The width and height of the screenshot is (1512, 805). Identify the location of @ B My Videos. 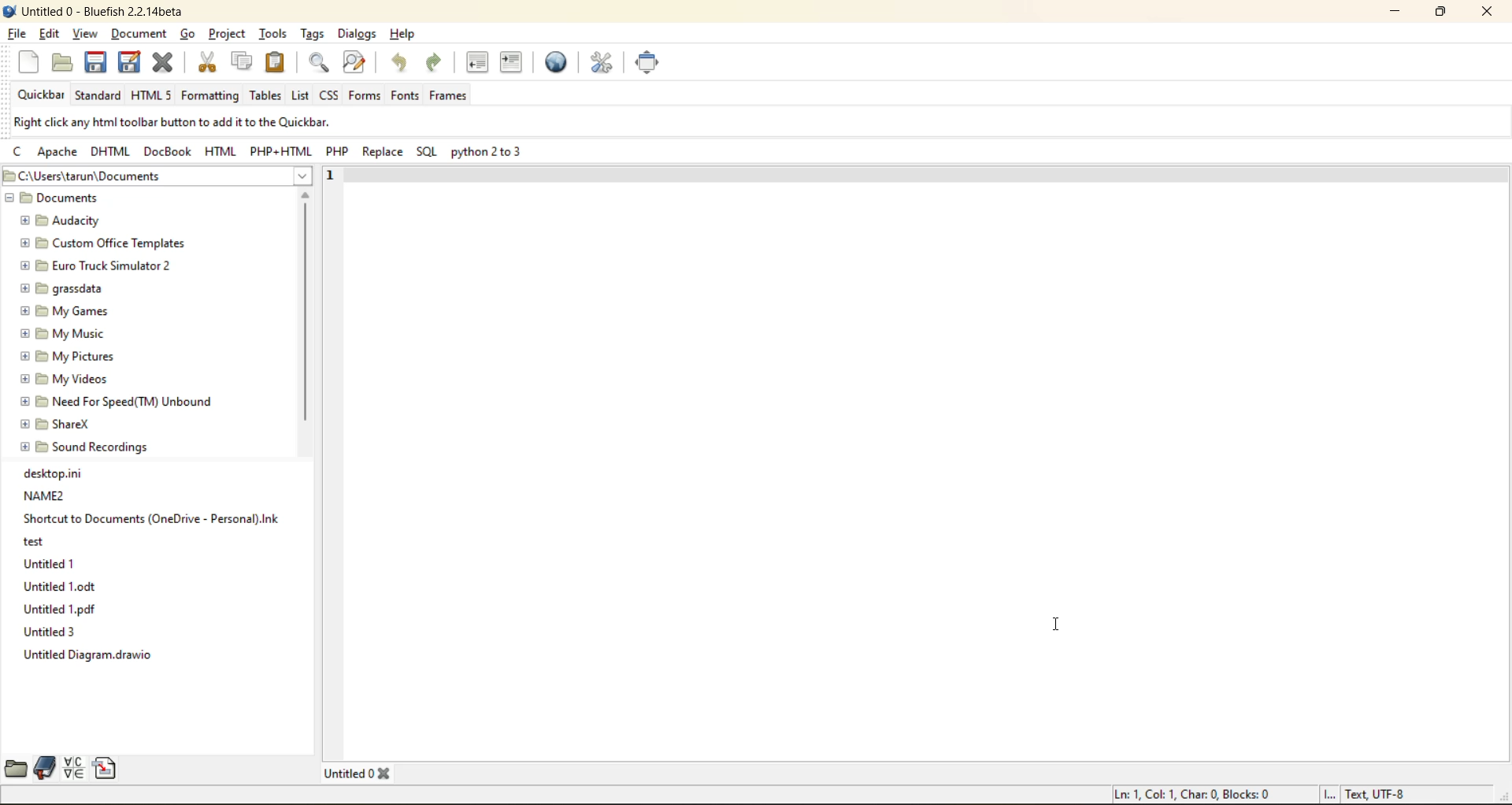
(65, 377).